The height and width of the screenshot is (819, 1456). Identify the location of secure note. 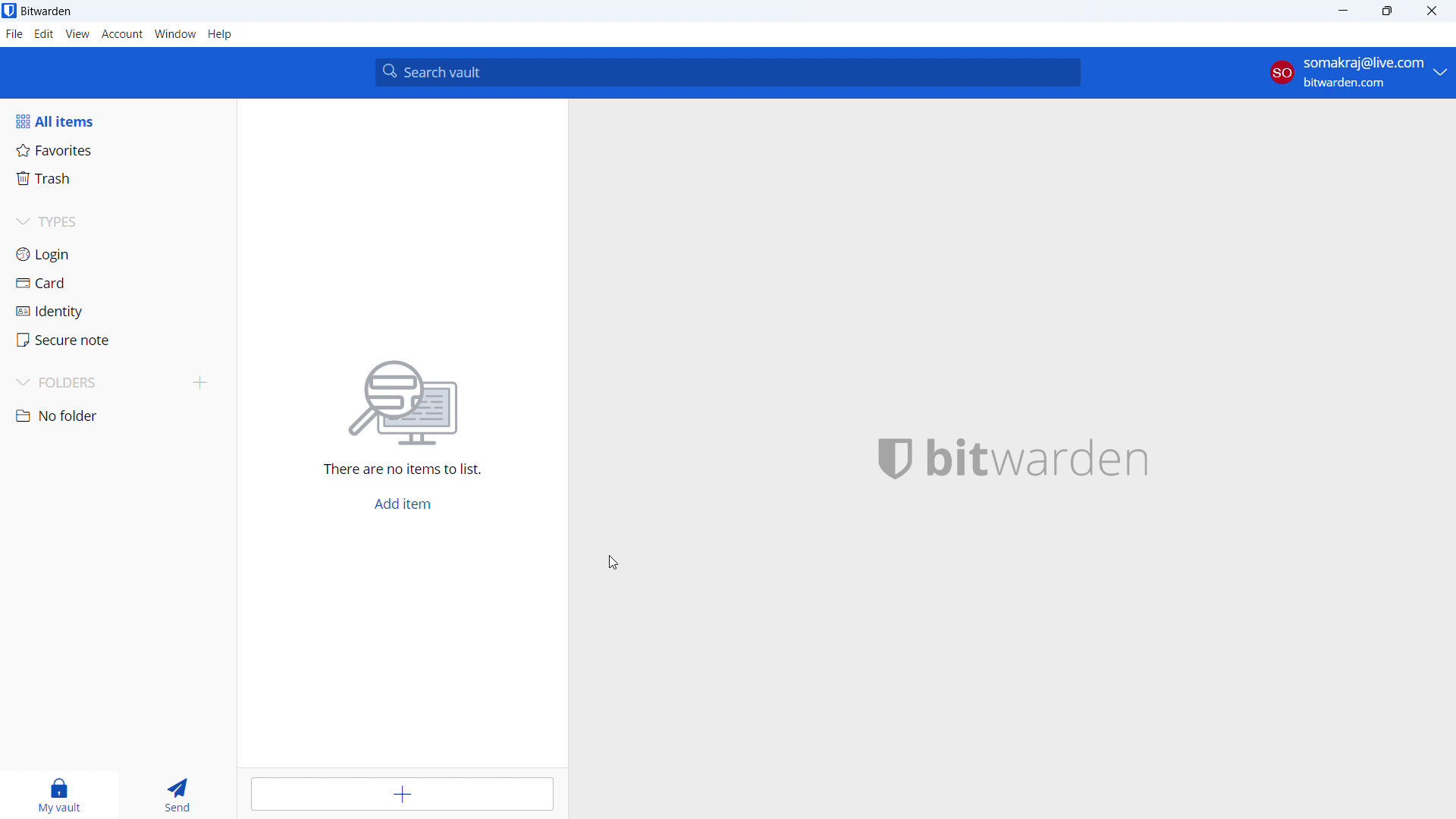
(114, 339).